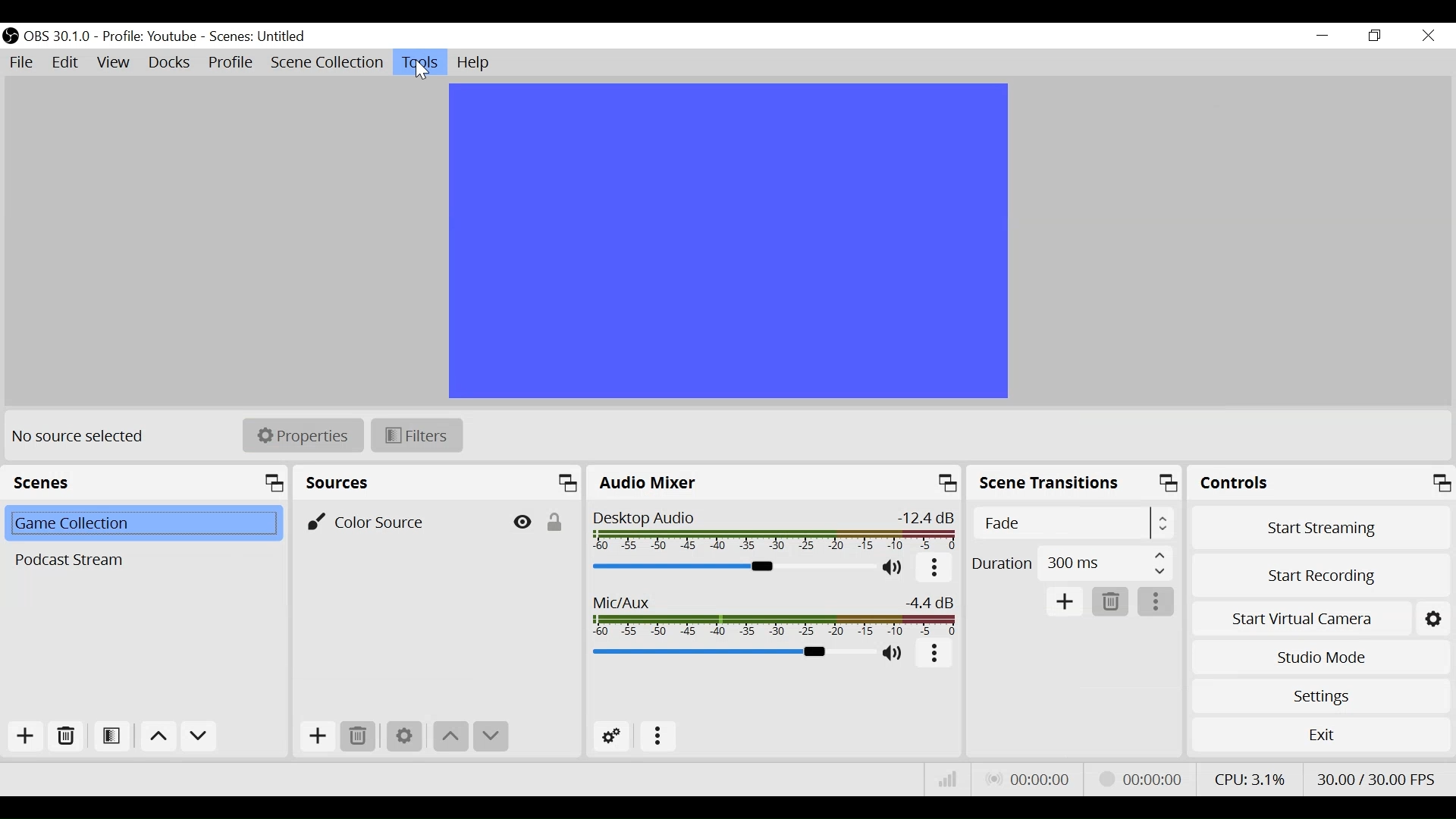 This screenshot has height=819, width=1456. Describe the element at coordinates (1321, 35) in the screenshot. I see `minimize` at that location.